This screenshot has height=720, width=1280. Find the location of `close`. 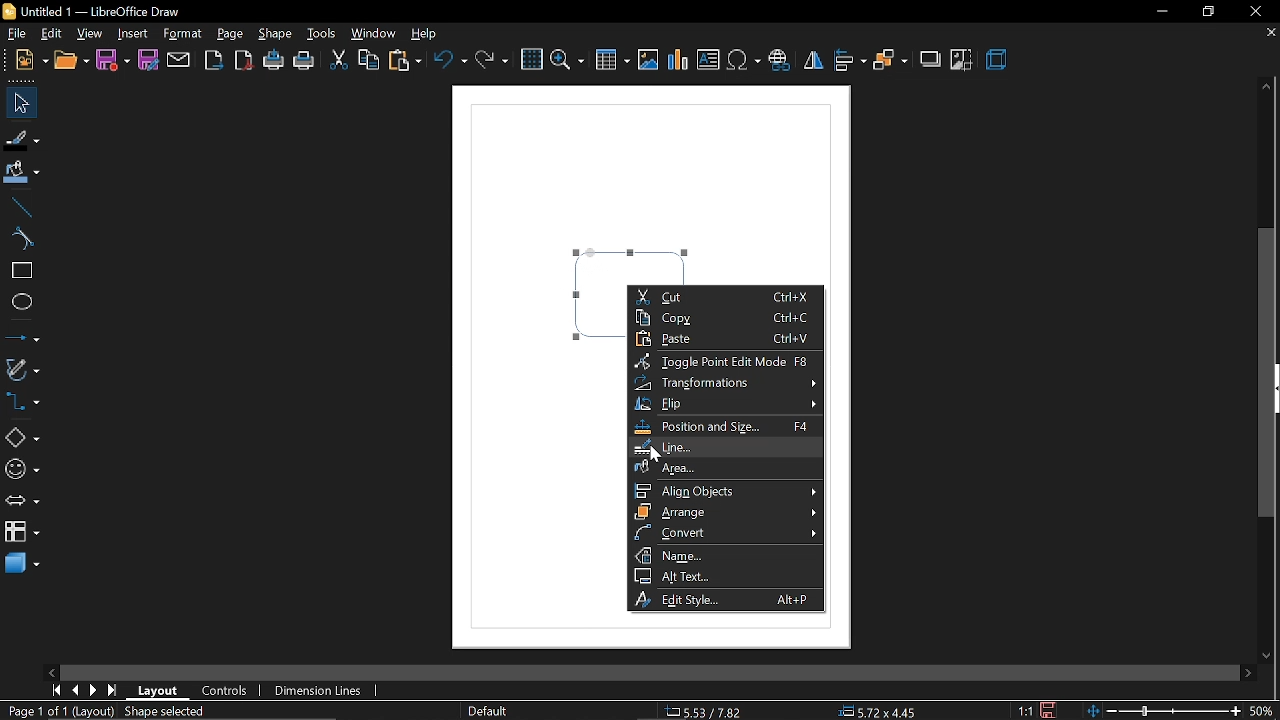

close is located at coordinates (1253, 11).